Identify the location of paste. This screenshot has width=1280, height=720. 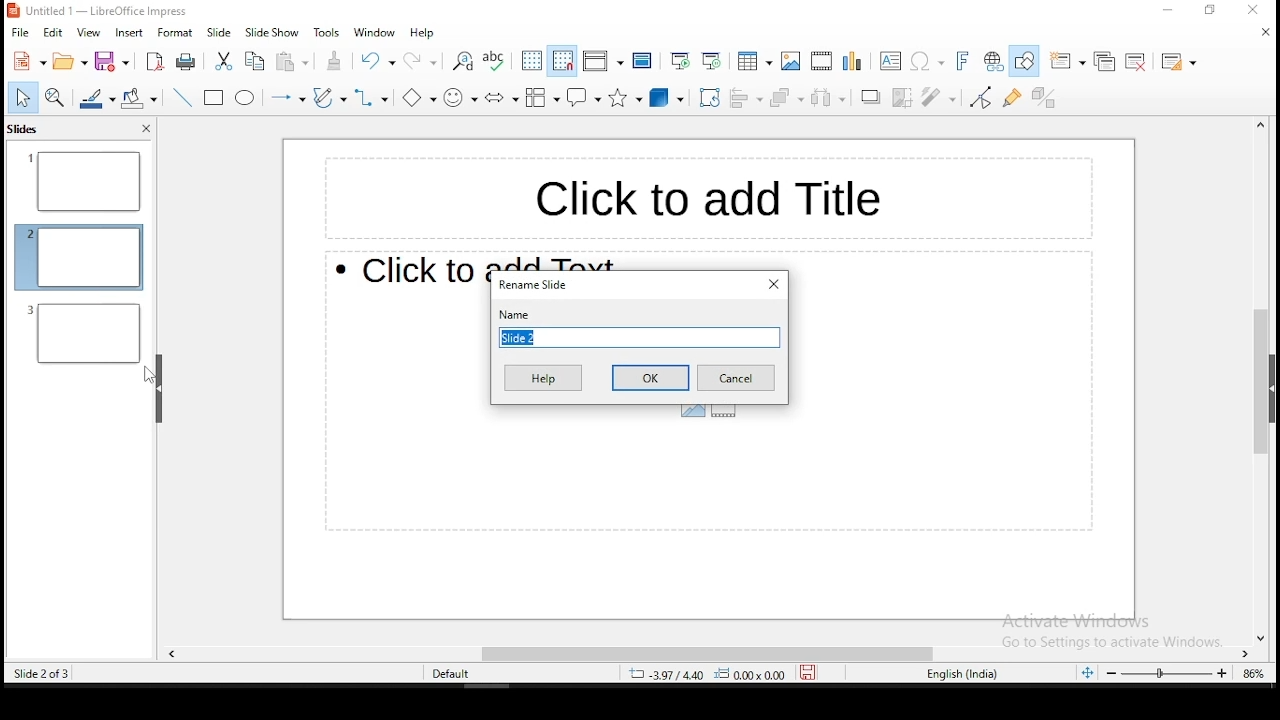
(292, 63).